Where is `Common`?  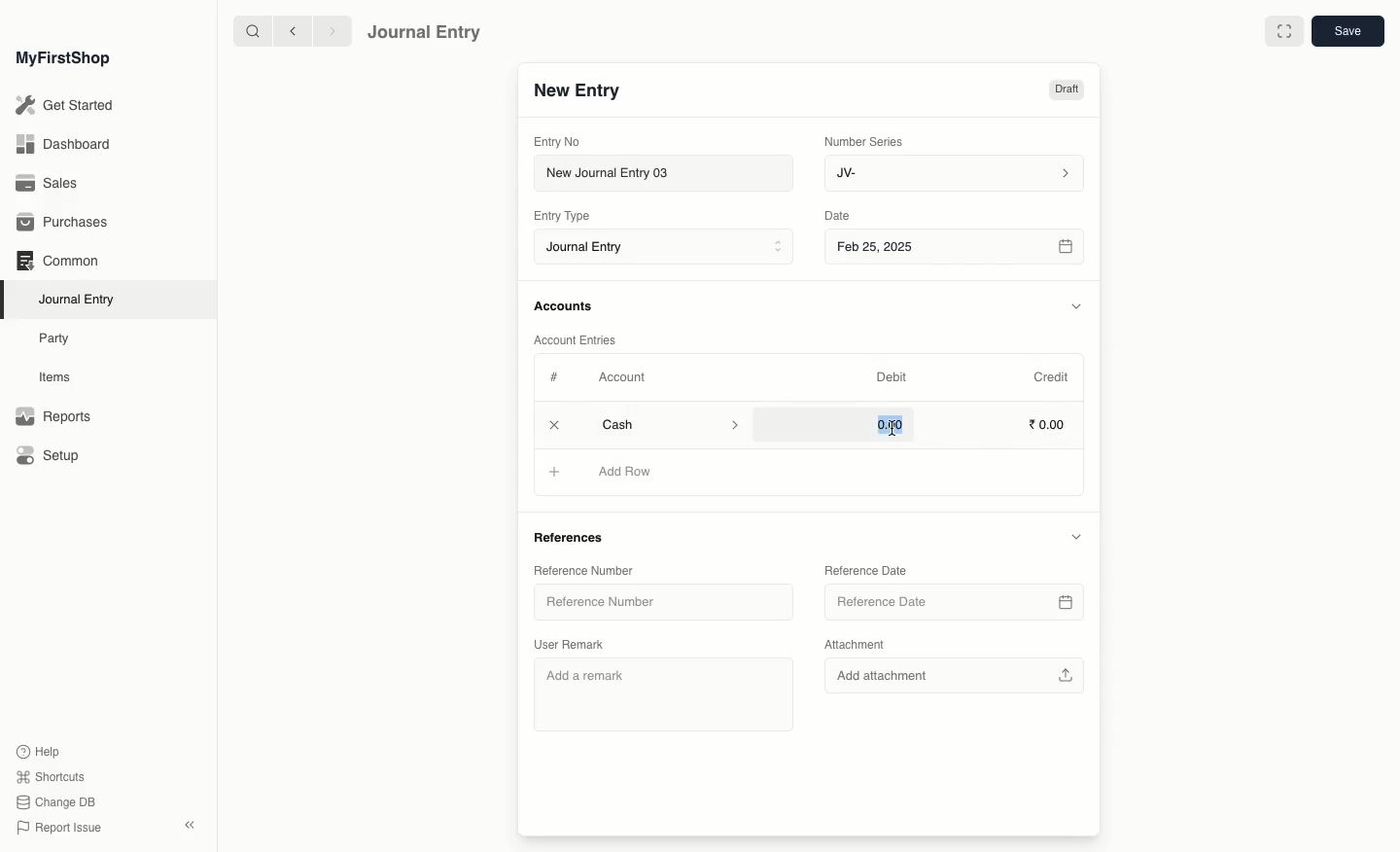
Common is located at coordinates (56, 261).